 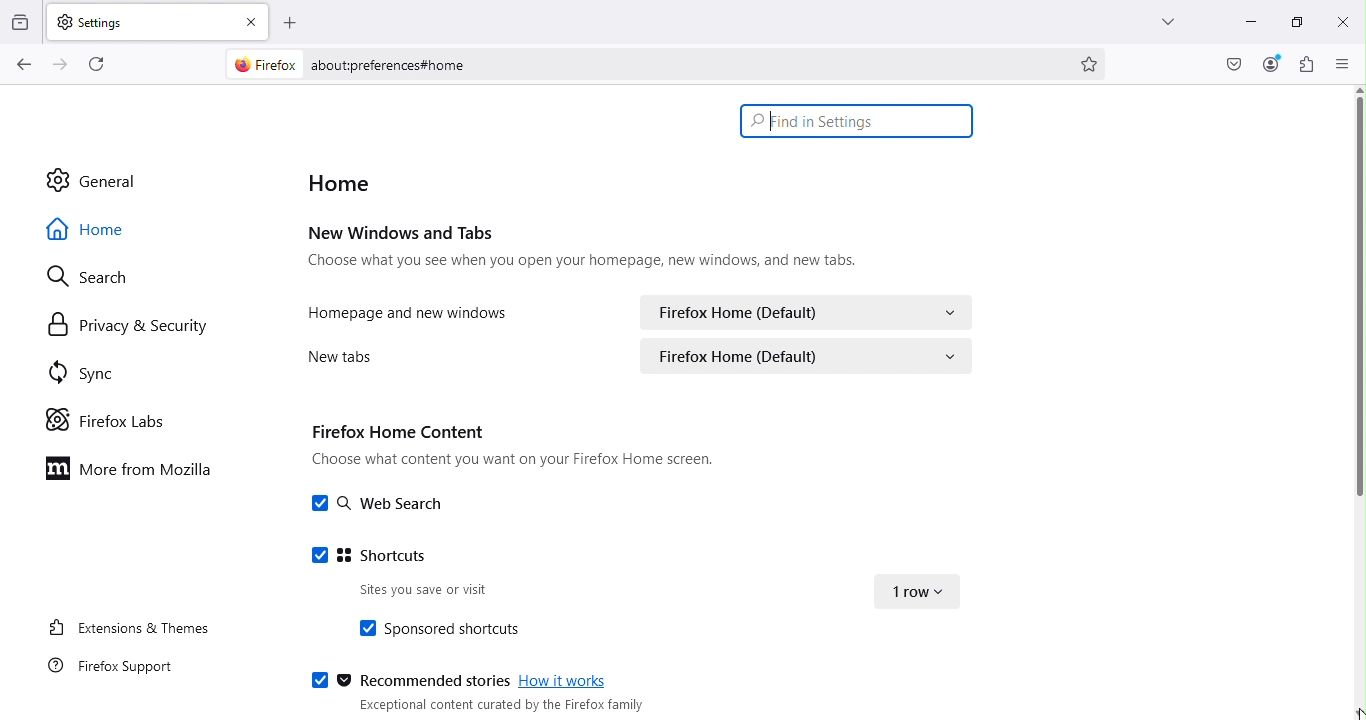 What do you see at coordinates (120, 667) in the screenshot?
I see `Firefox support` at bounding box center [120, 667].